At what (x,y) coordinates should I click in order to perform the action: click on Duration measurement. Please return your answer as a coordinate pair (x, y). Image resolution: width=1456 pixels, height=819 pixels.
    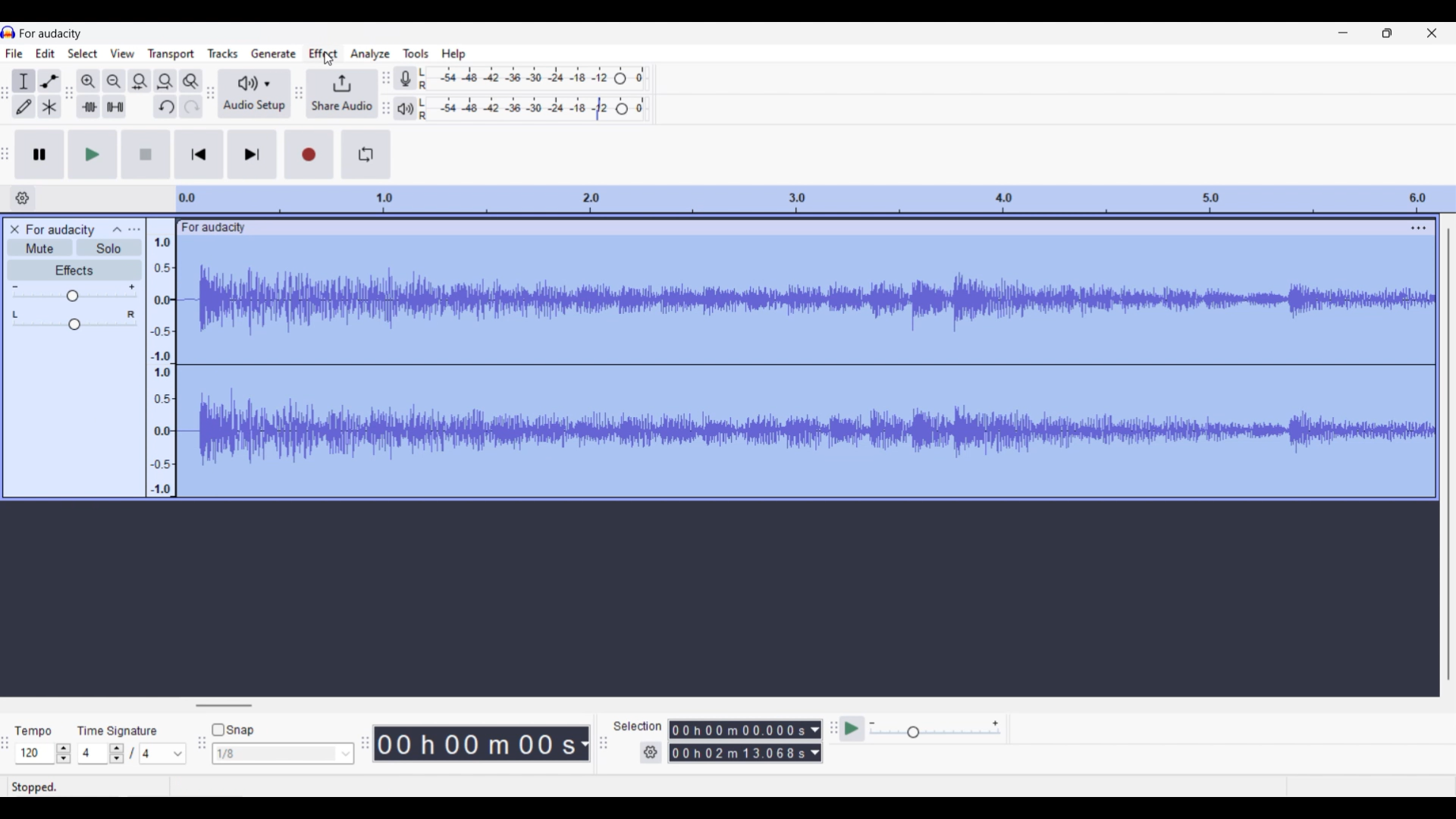
    Looking at the image, I should click on (583, 744).